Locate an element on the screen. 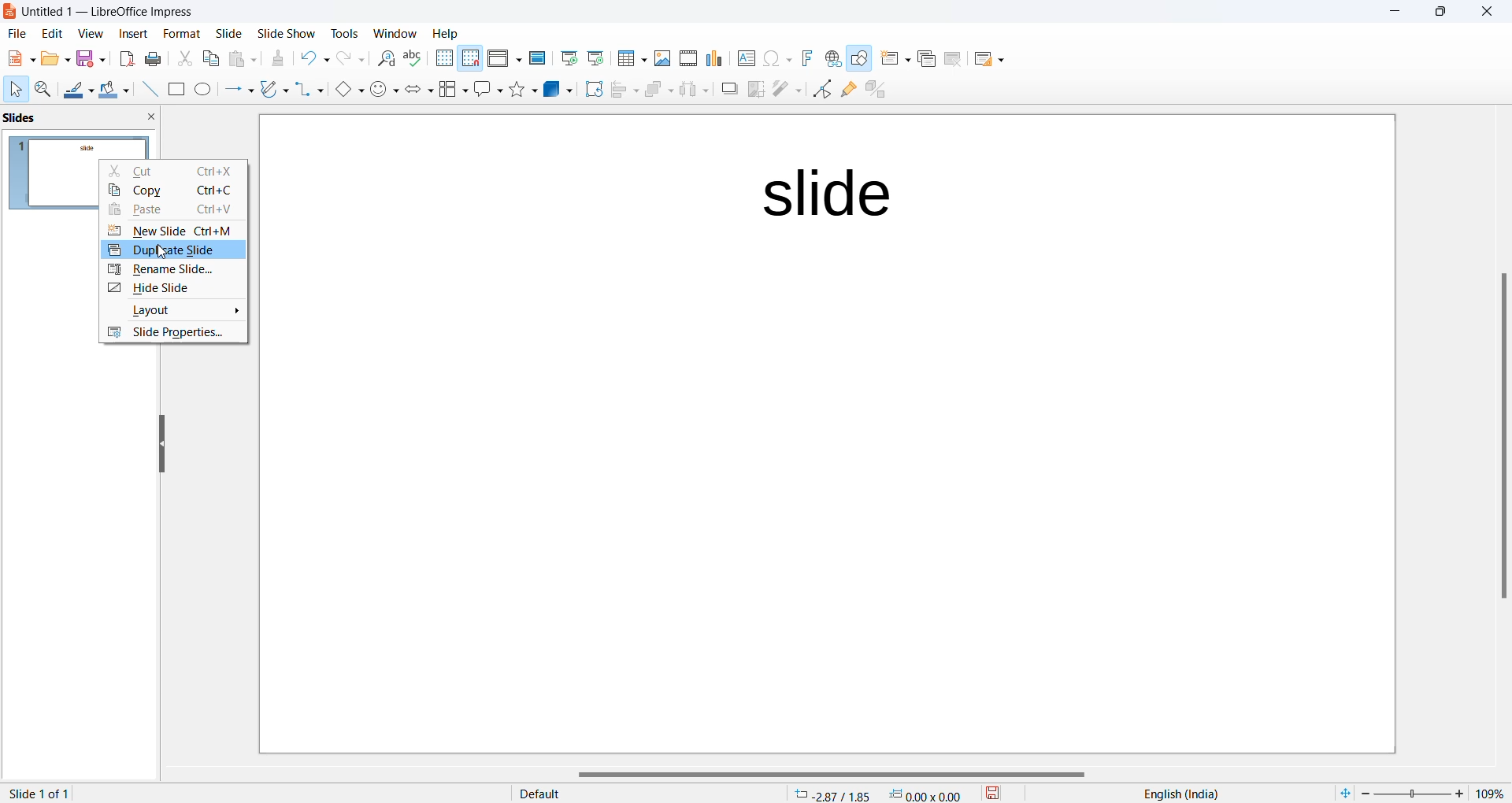 This screenshot has height=803, width=1512. connectors is located at coordinates (306, 90).